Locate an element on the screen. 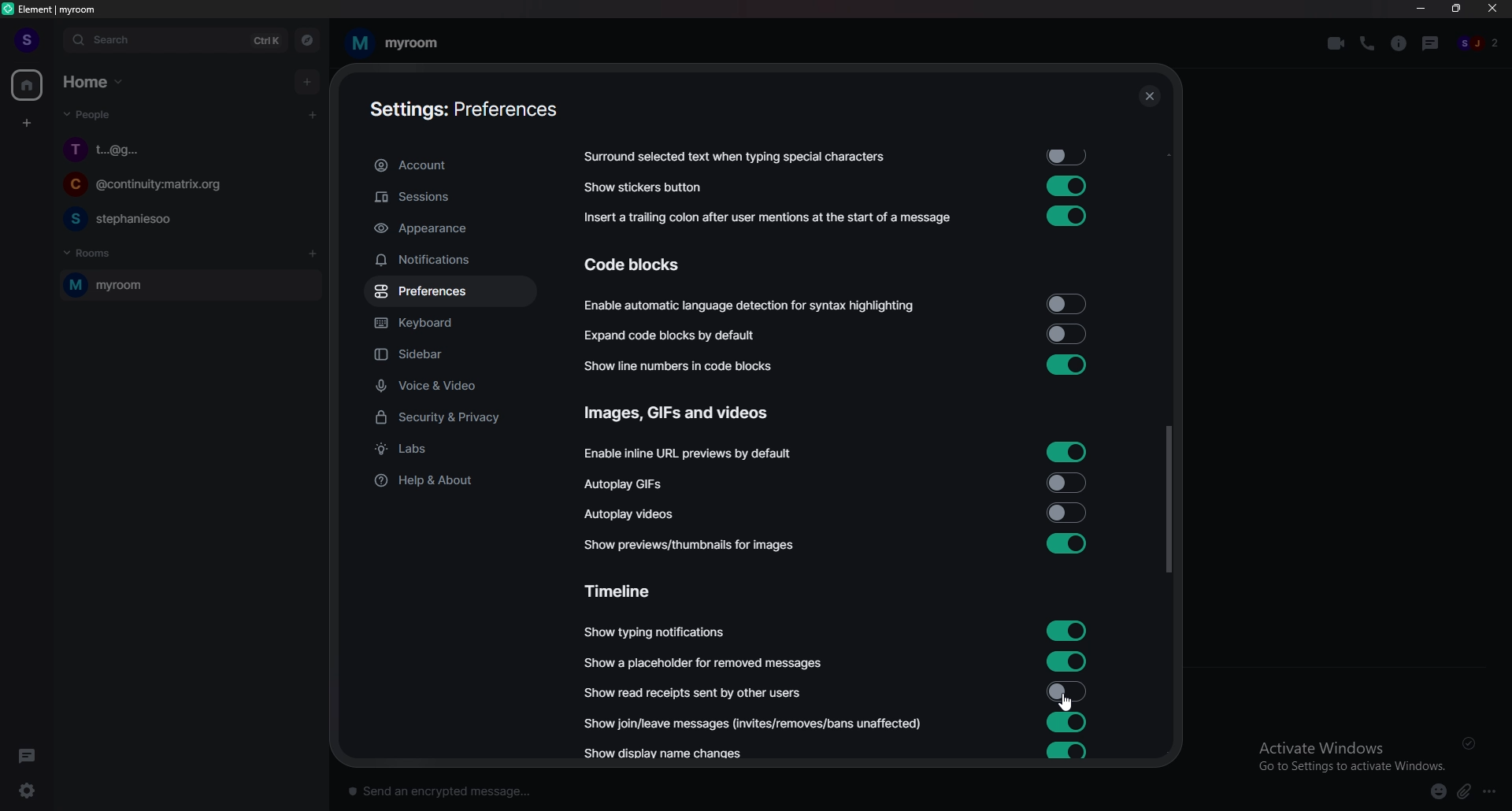 The height and width of the screenshot is (811, 1512). voice call is located at coordinates (1367, 43).